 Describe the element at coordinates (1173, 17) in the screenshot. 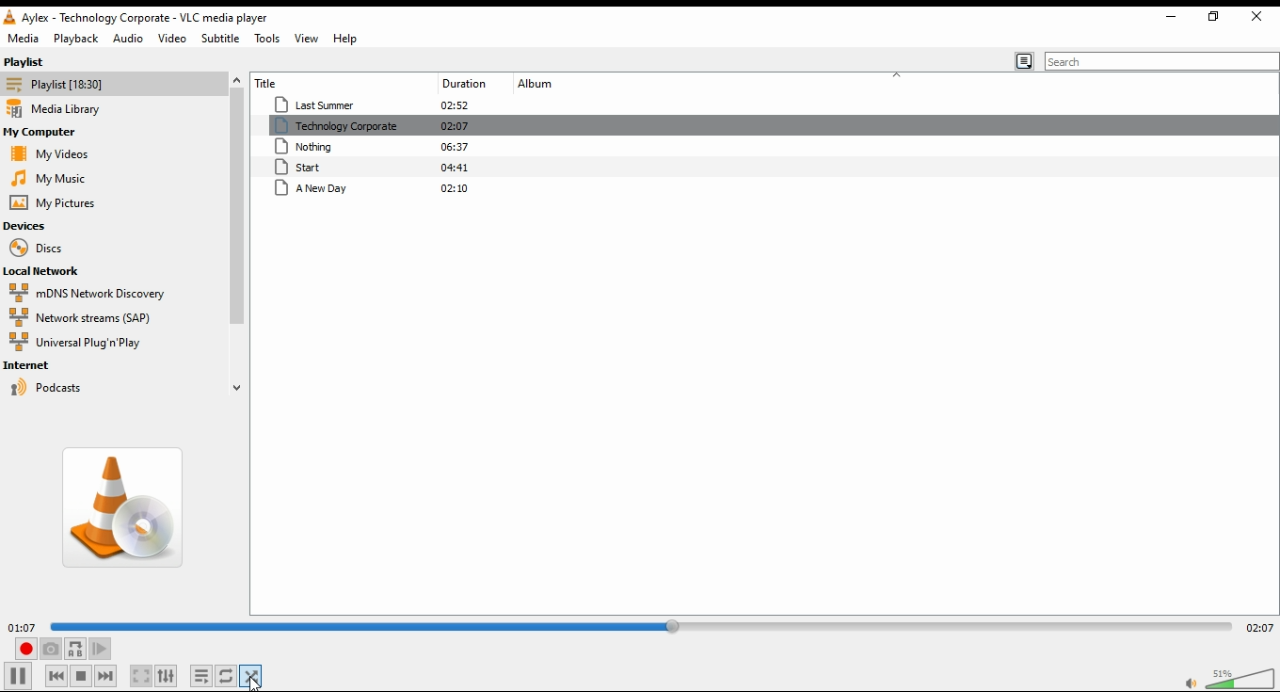

I see `restore` at that location.